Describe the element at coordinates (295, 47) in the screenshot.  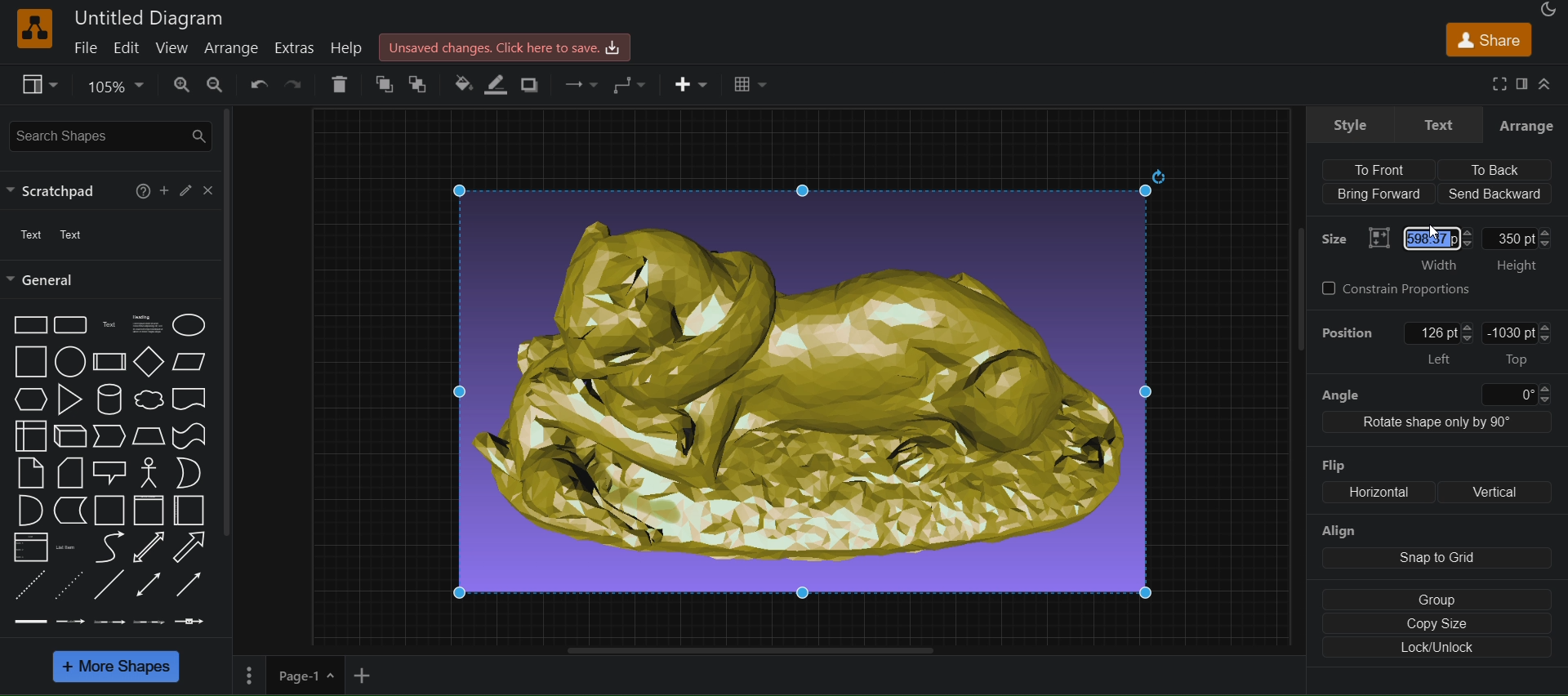
I see `extras` at that location.